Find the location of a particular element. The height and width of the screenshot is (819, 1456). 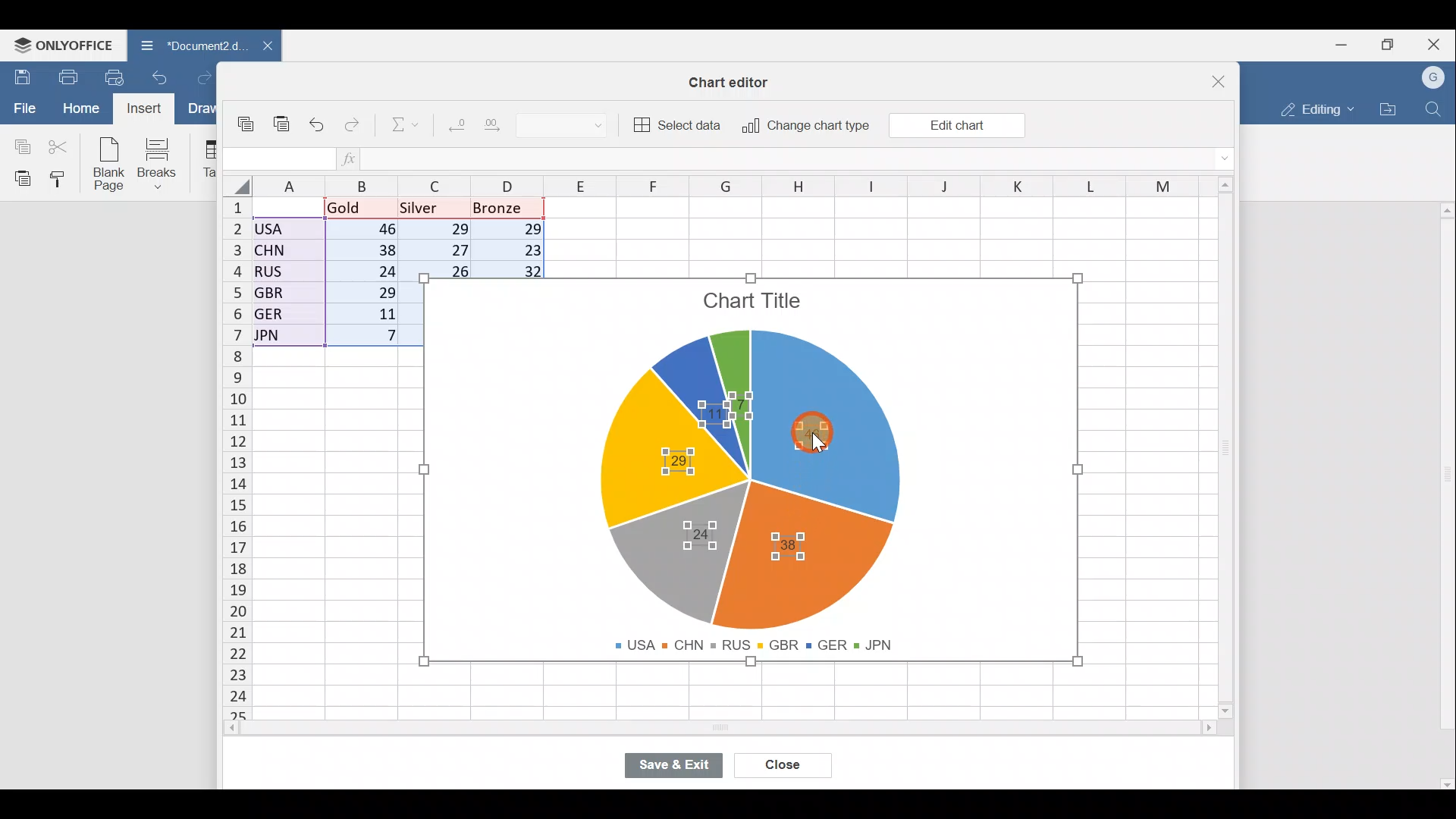

Draw is located at coordinates (206, 110).